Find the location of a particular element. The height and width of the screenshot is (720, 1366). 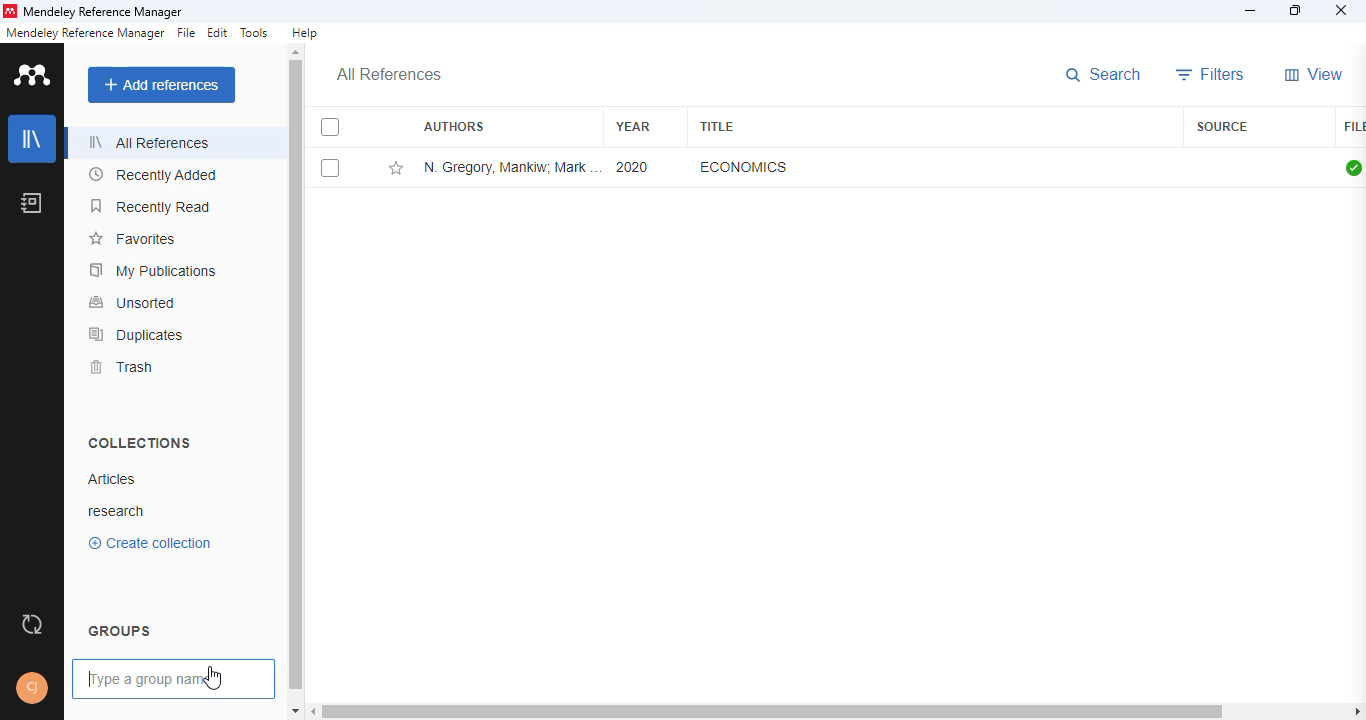

source is located at coordinates (1223, 128).